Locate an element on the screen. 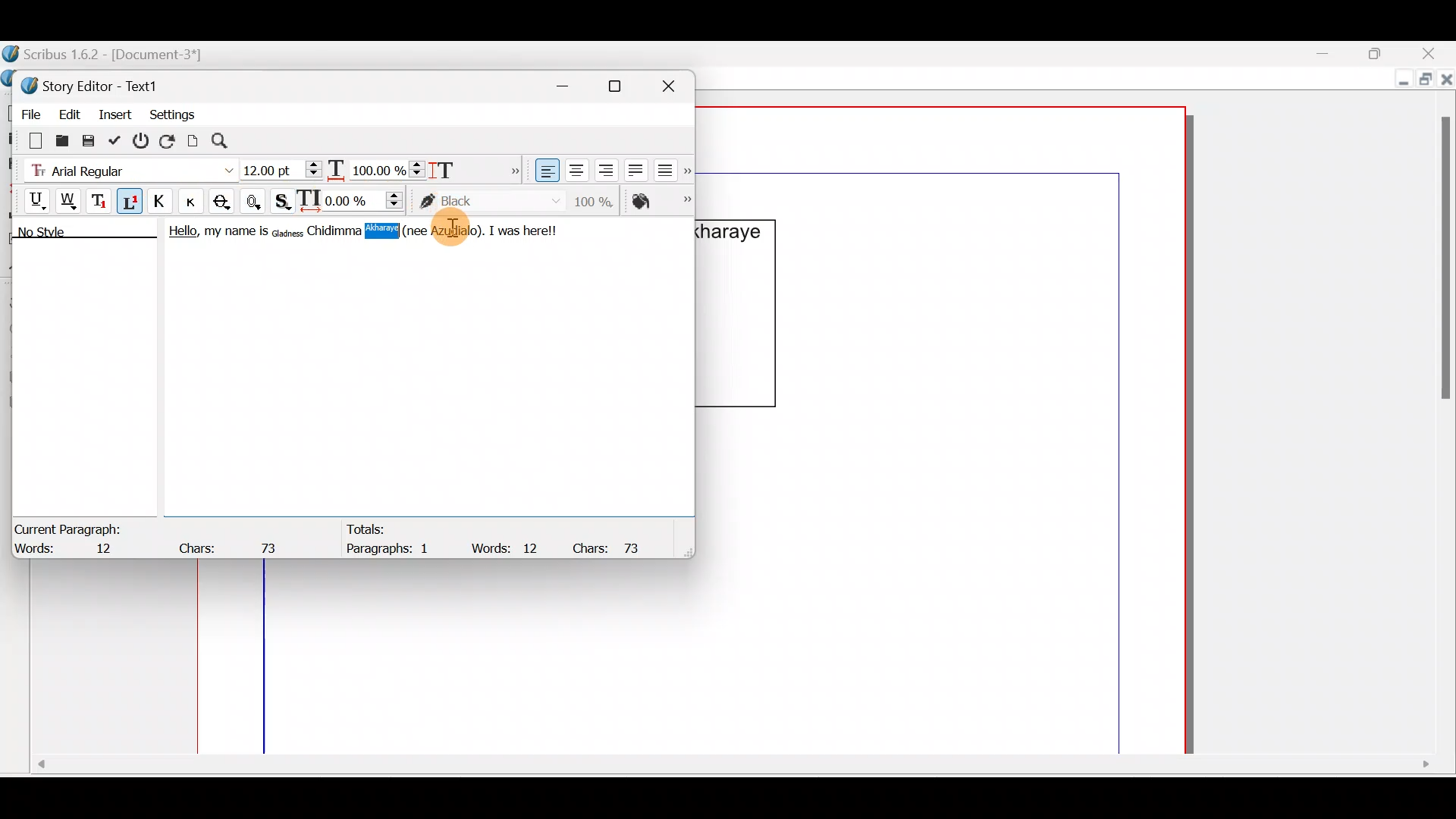 This screenshot has height=819, width=1456. Subscript is located at coordinates (101, 199).